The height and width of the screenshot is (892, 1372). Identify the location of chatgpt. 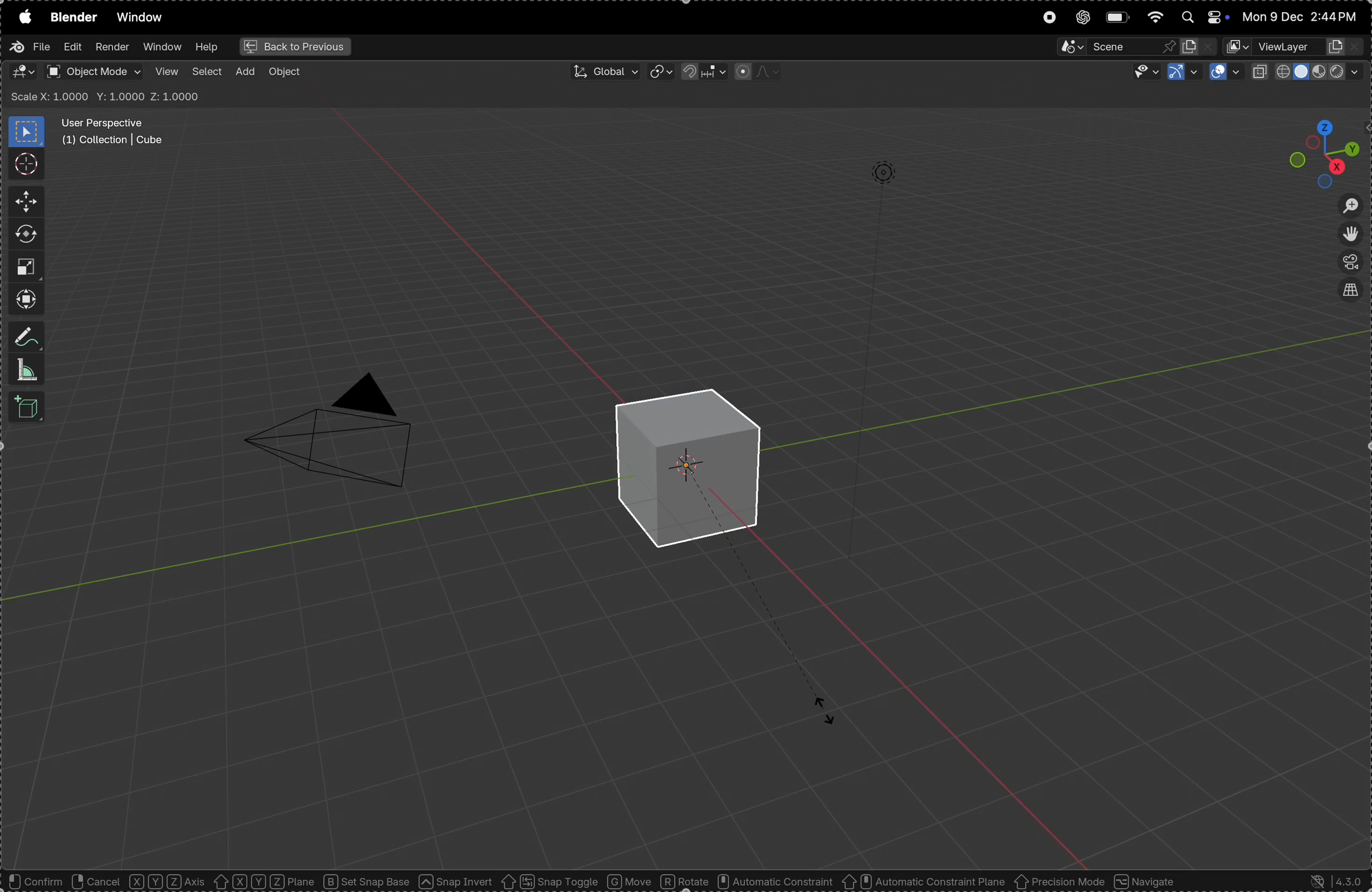
(1083, 18).